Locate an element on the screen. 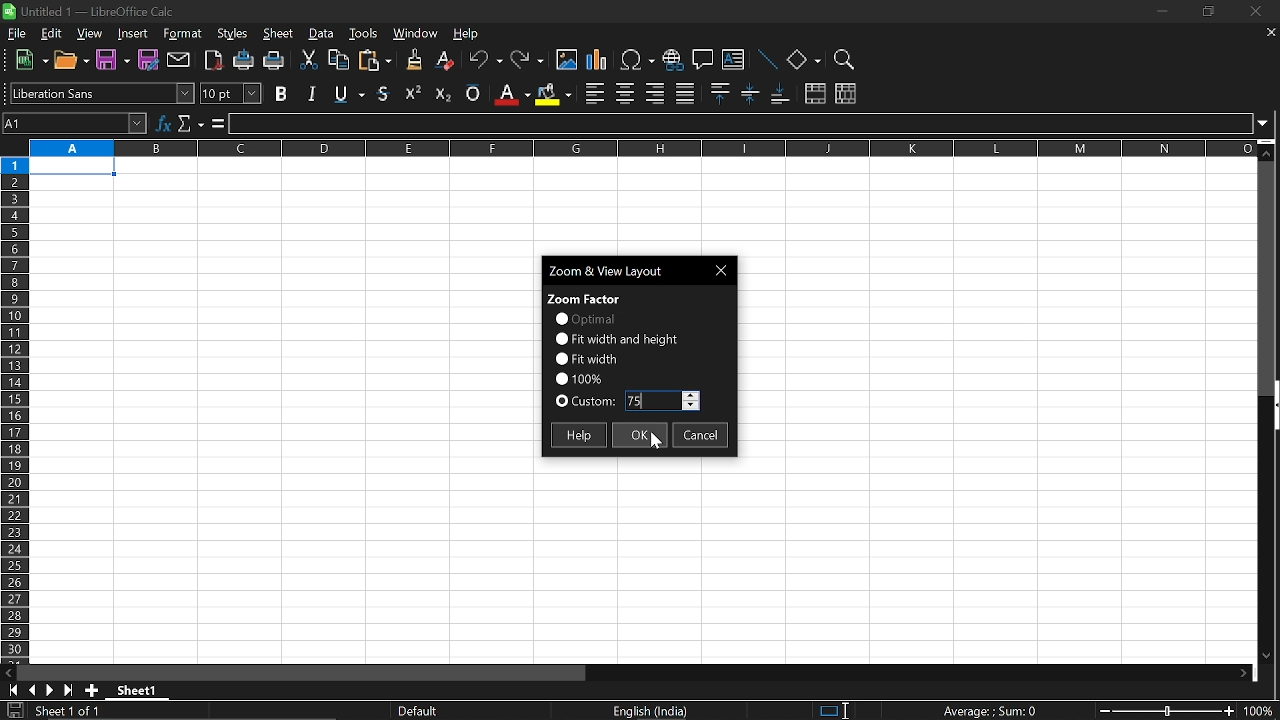 This screenshot has height=720, width=1280. columns is located at coordinates (639, 147).